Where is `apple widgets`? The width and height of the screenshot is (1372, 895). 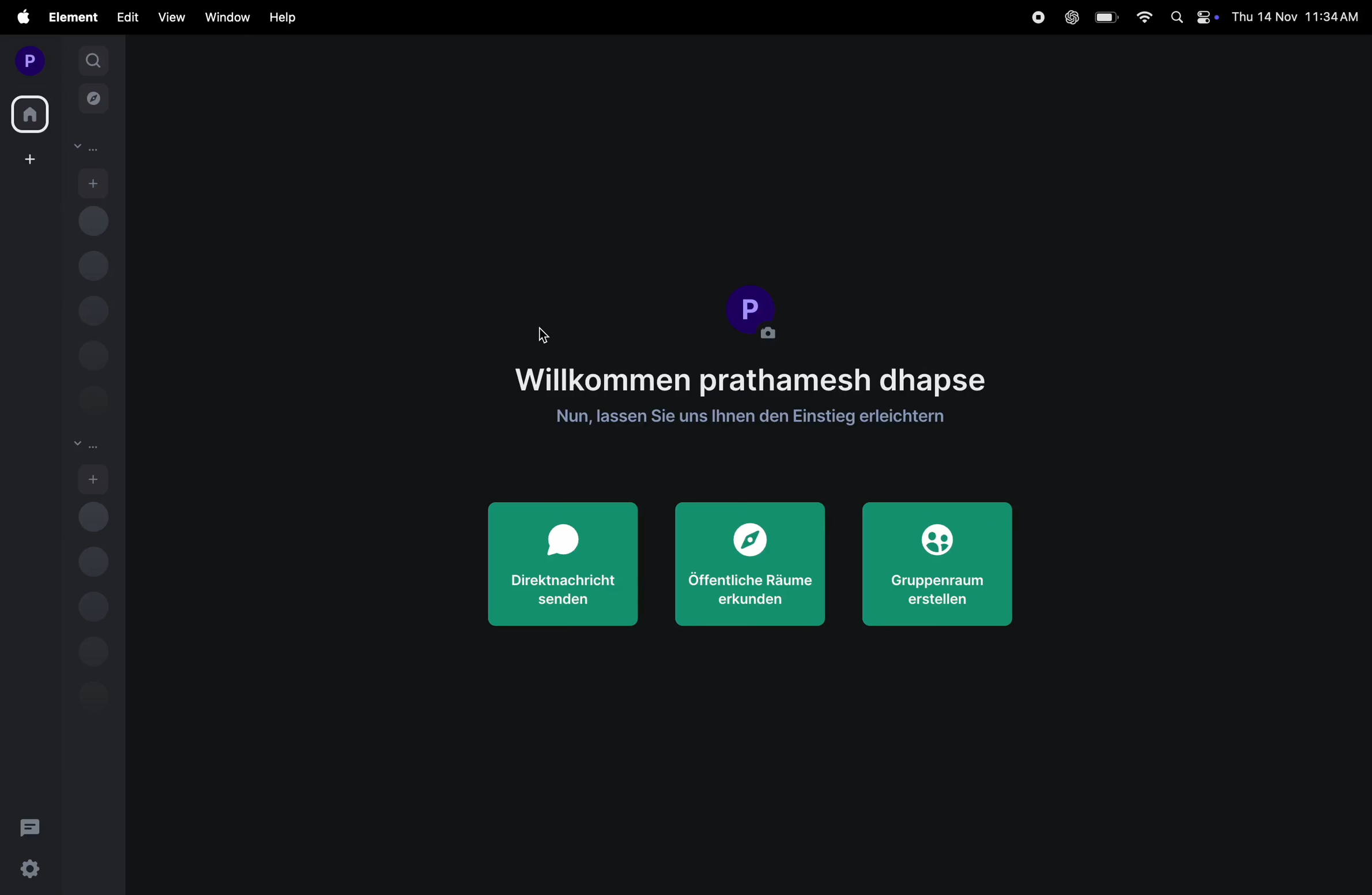 apple widgets is located at coordinates (1190, 17).